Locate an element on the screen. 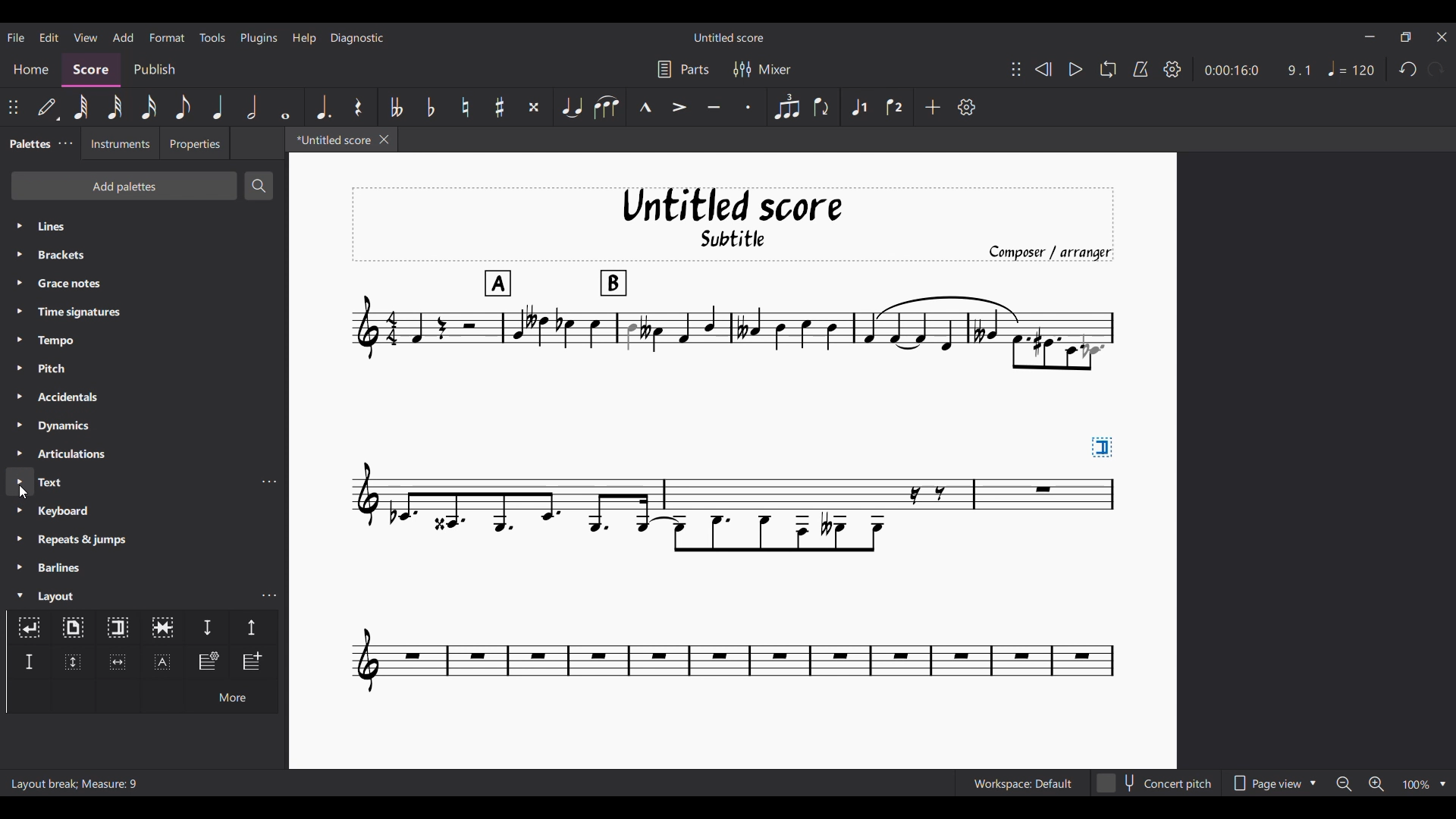  *Untitled score, current tab is located at coordinates (331, 139).